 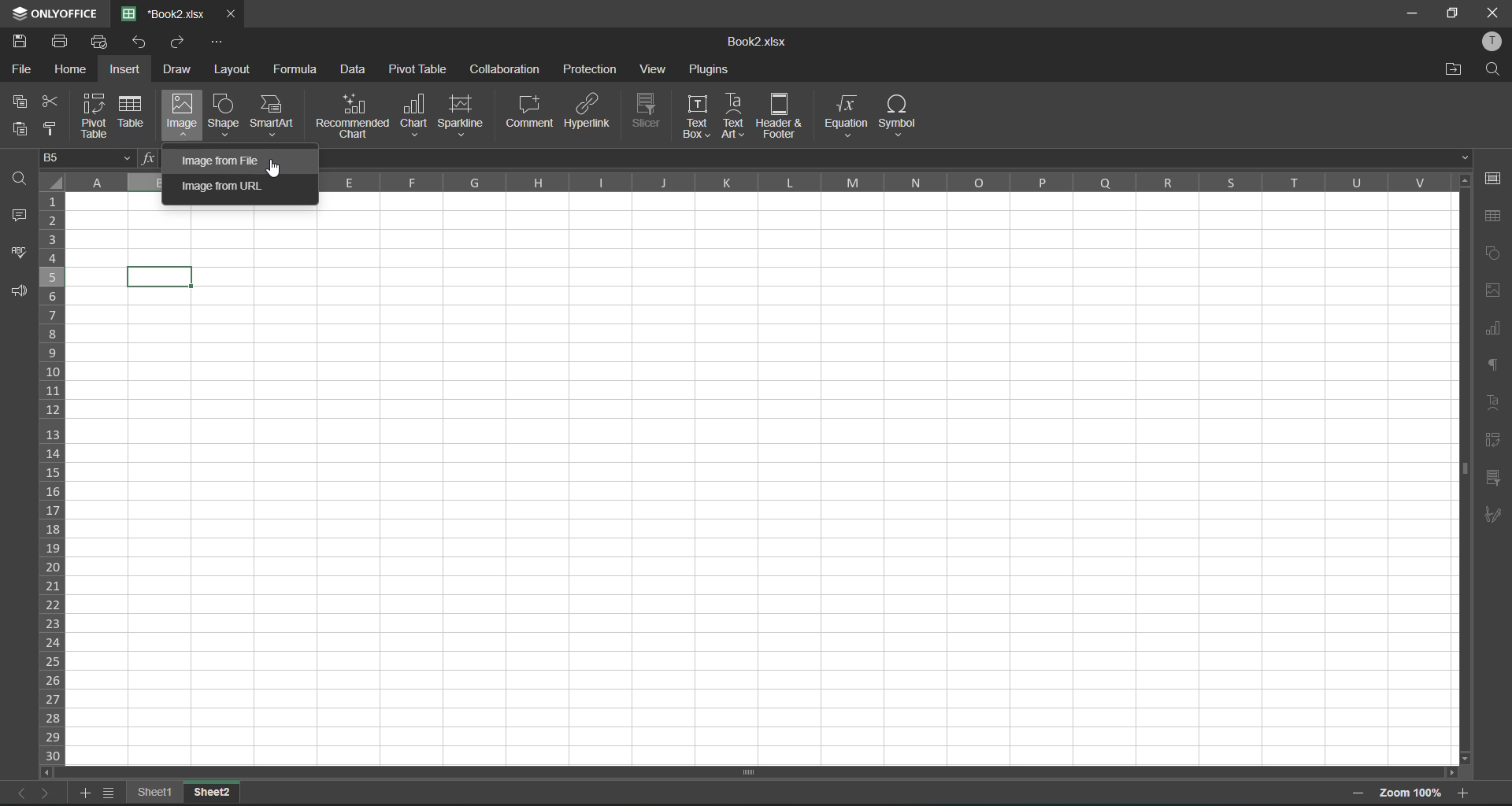 What do you see at coordinates (530, 112) in the screenshot?
I see `comment` at bounding box center [530, 112].